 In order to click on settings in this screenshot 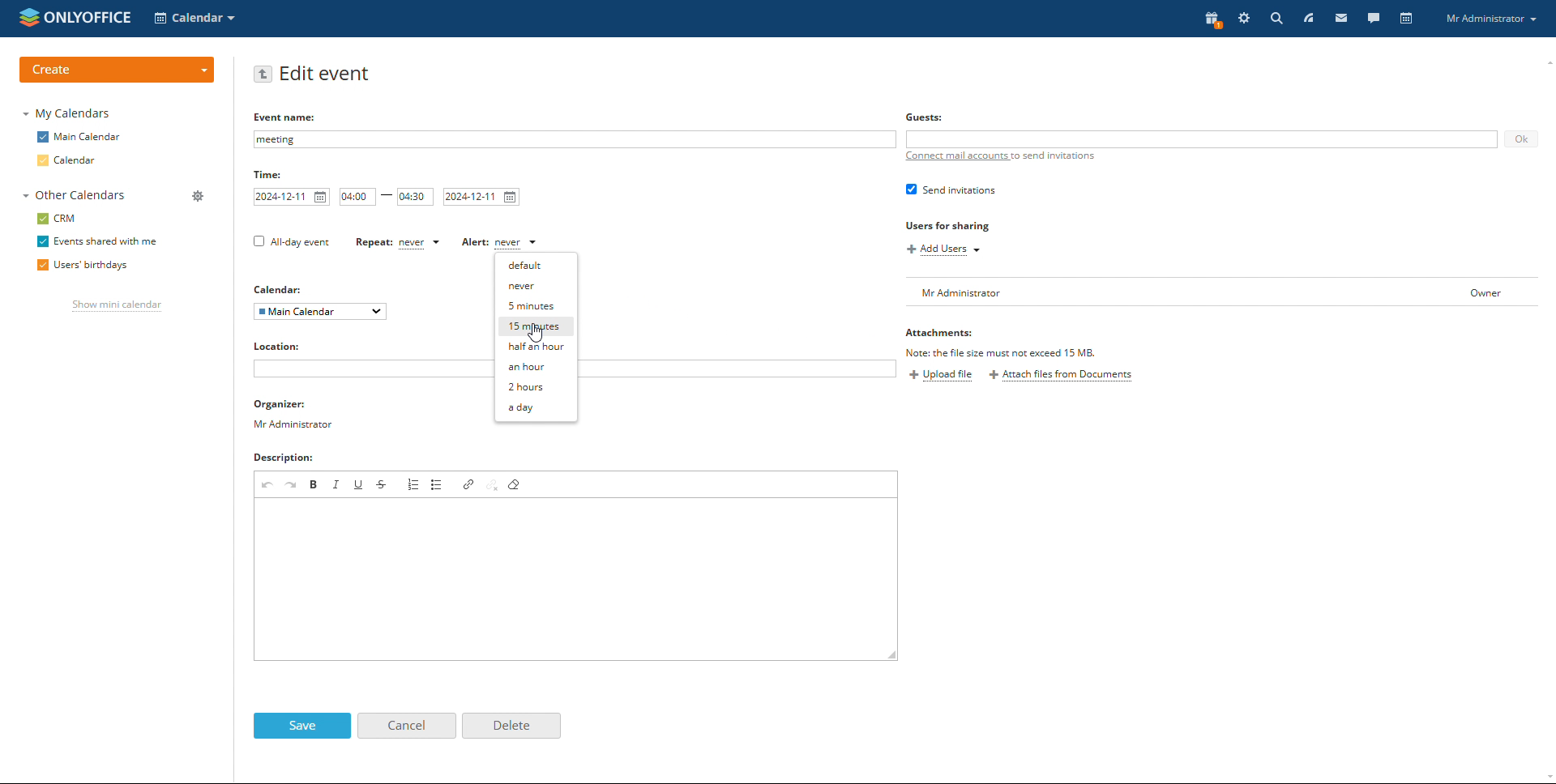, I will do `click(1244, 19)`.